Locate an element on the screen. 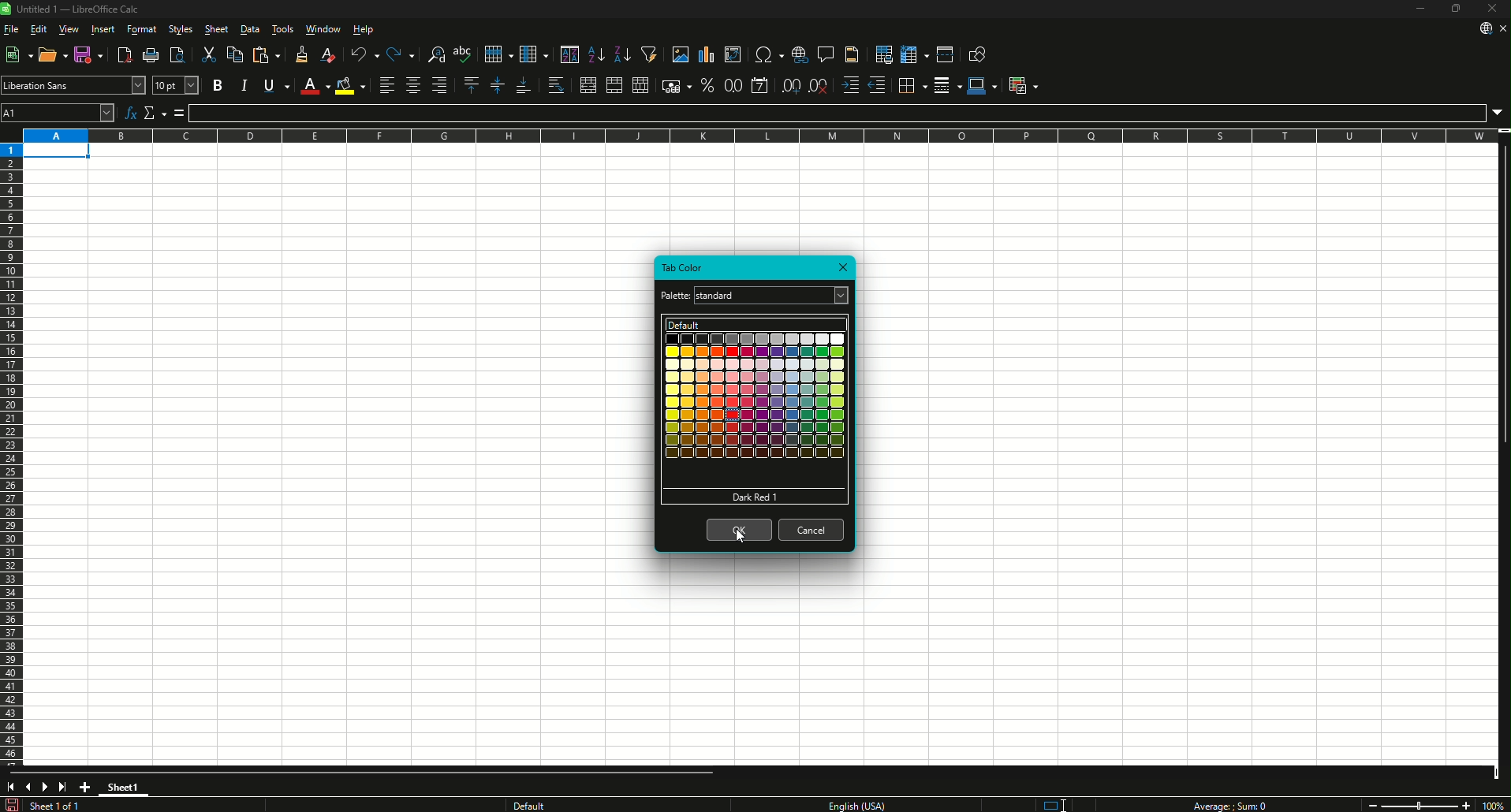 This screenshot has height=812, width=1511. Data is located at coordinates (249, 28).